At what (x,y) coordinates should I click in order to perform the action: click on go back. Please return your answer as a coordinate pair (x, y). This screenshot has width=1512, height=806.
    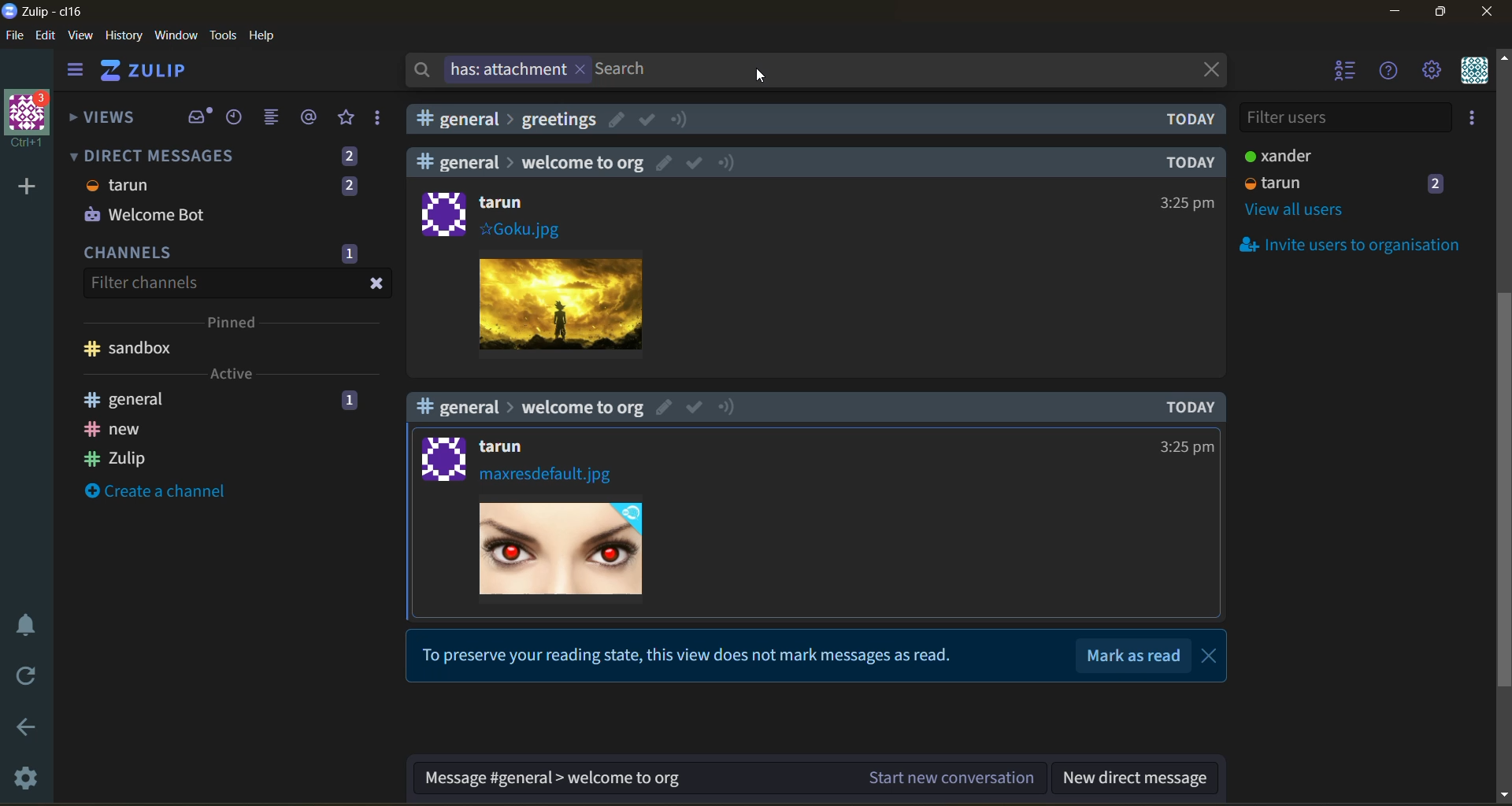
    Looking at the image, I should click on (31, 730).